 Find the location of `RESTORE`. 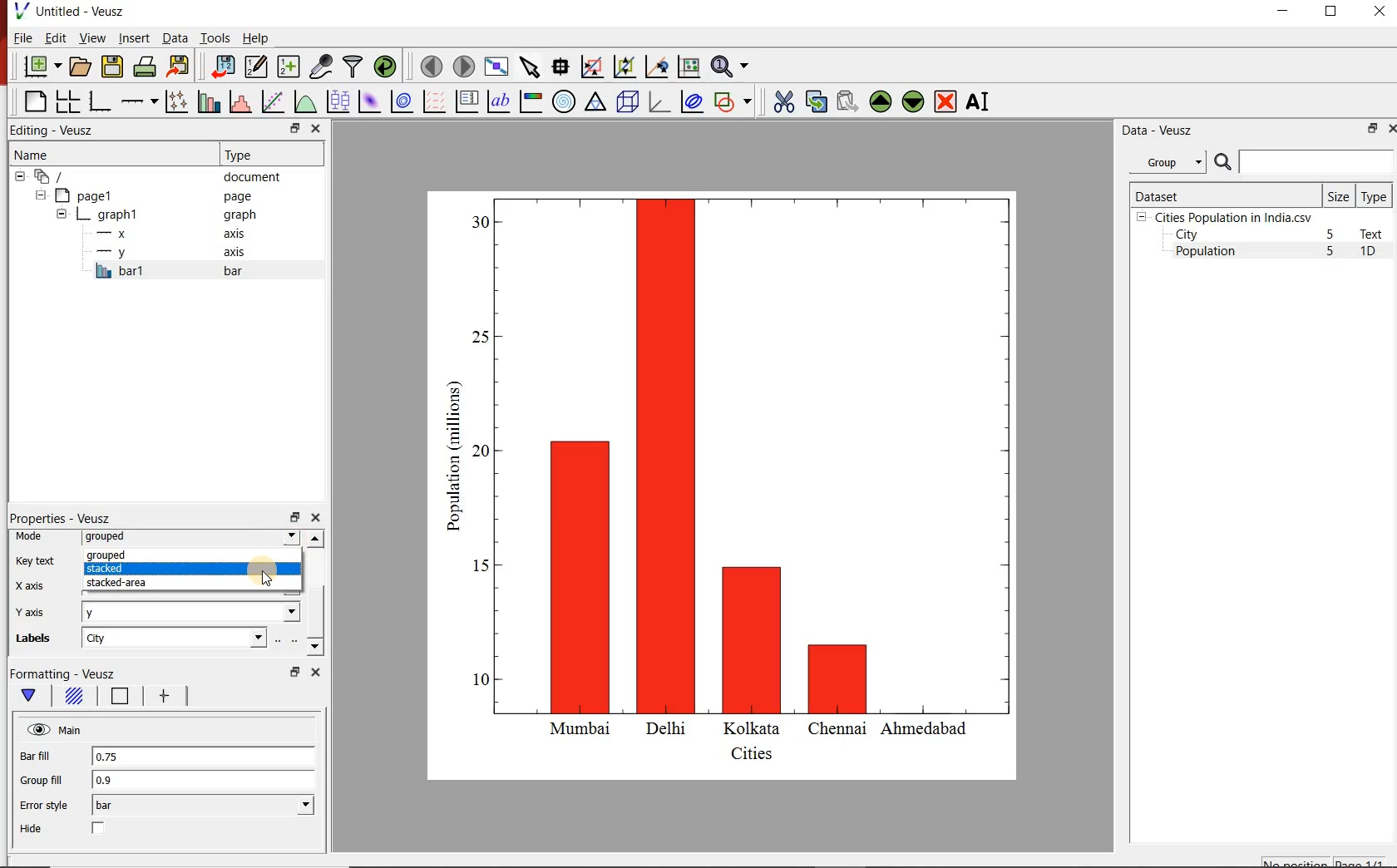

RESTORE is located at coordinates (1331, 12).